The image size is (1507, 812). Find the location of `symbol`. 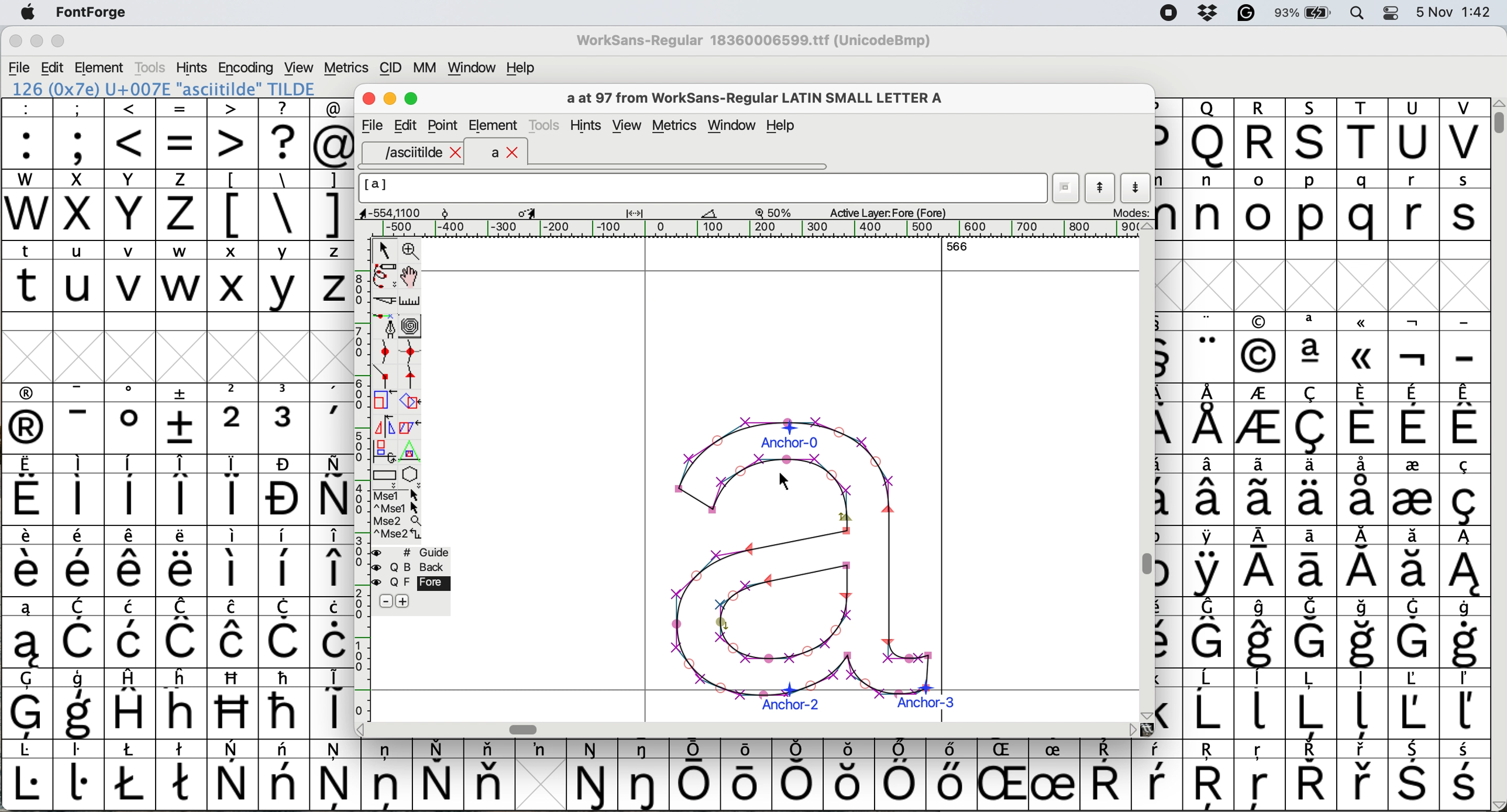

symbol is located at coordinates (80, 705).